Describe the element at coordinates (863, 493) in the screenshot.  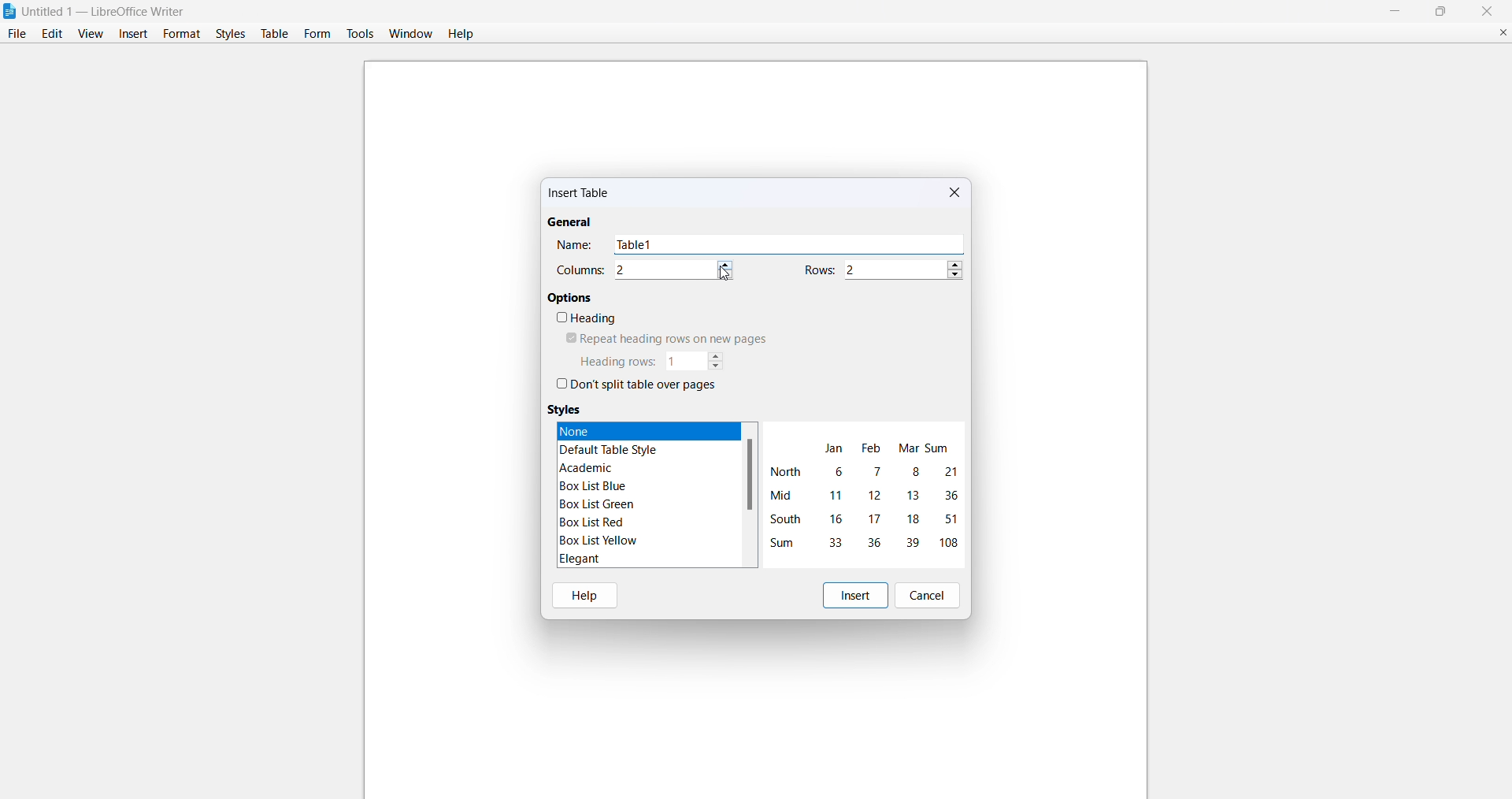
I see `table format` at that location.